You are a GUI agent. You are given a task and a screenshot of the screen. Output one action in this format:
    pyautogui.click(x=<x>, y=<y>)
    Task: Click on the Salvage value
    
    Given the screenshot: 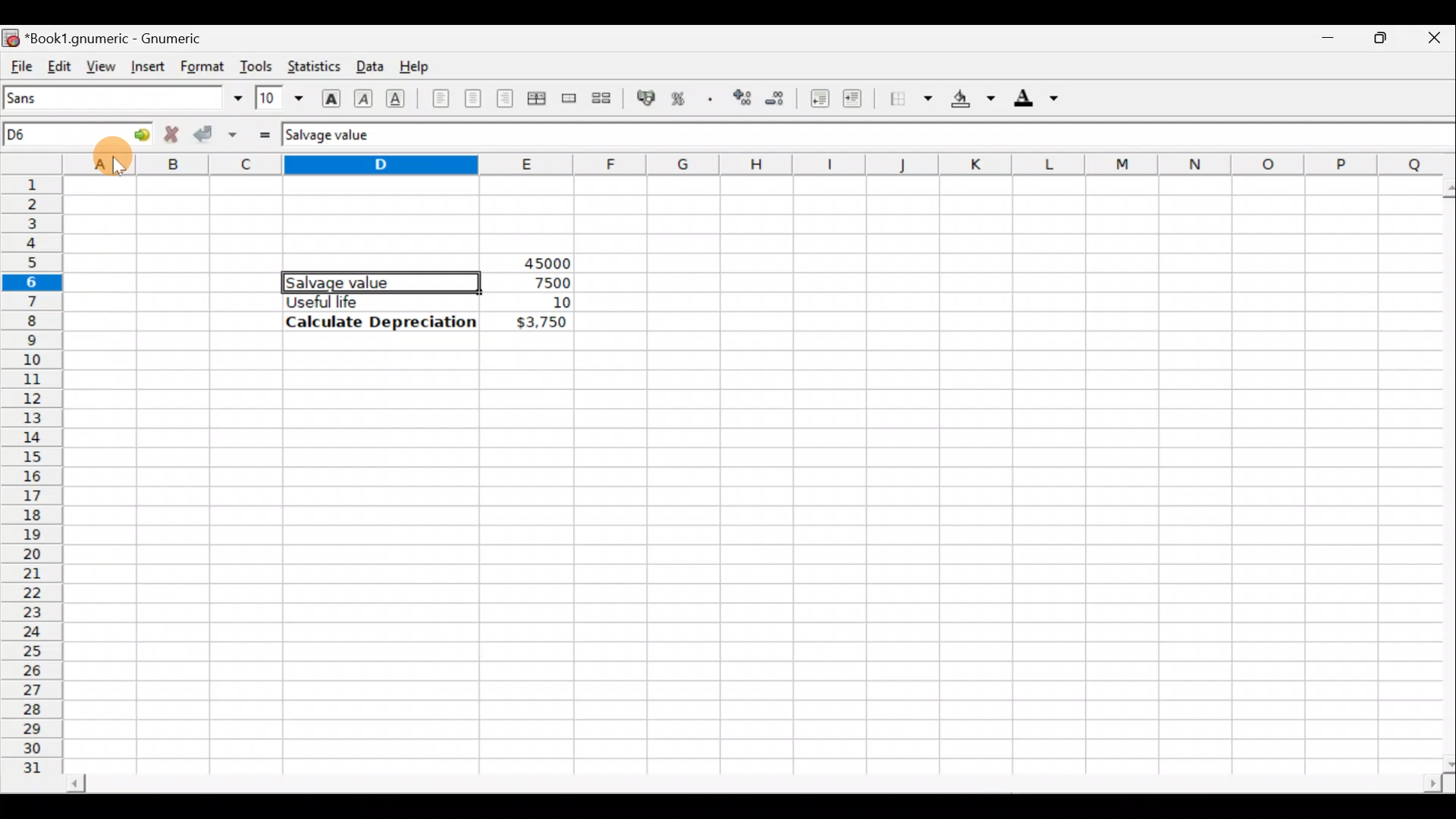 What is the action you would take?
    pyautogui.click(x=347, y=281)
    